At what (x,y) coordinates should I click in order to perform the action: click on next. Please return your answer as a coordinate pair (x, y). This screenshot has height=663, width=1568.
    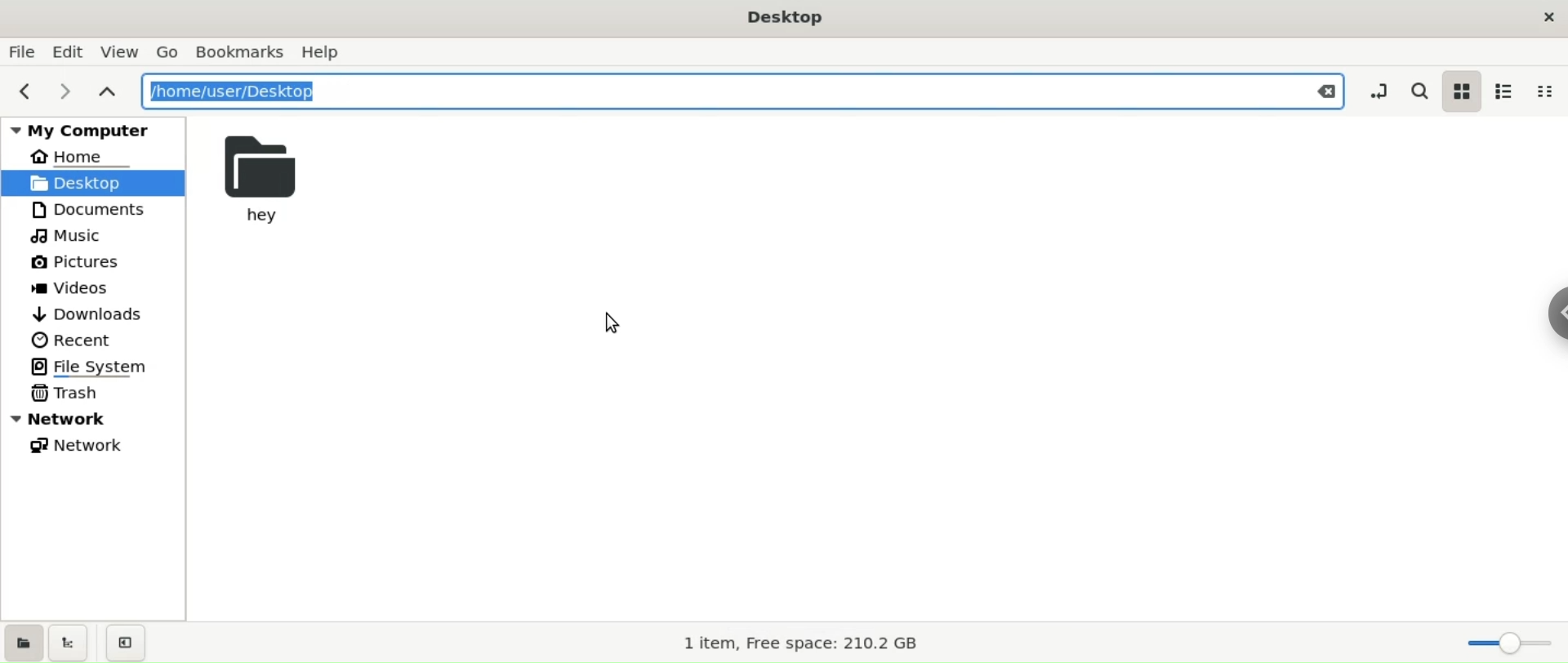
    Looking at the image, I should click on (65, 91).